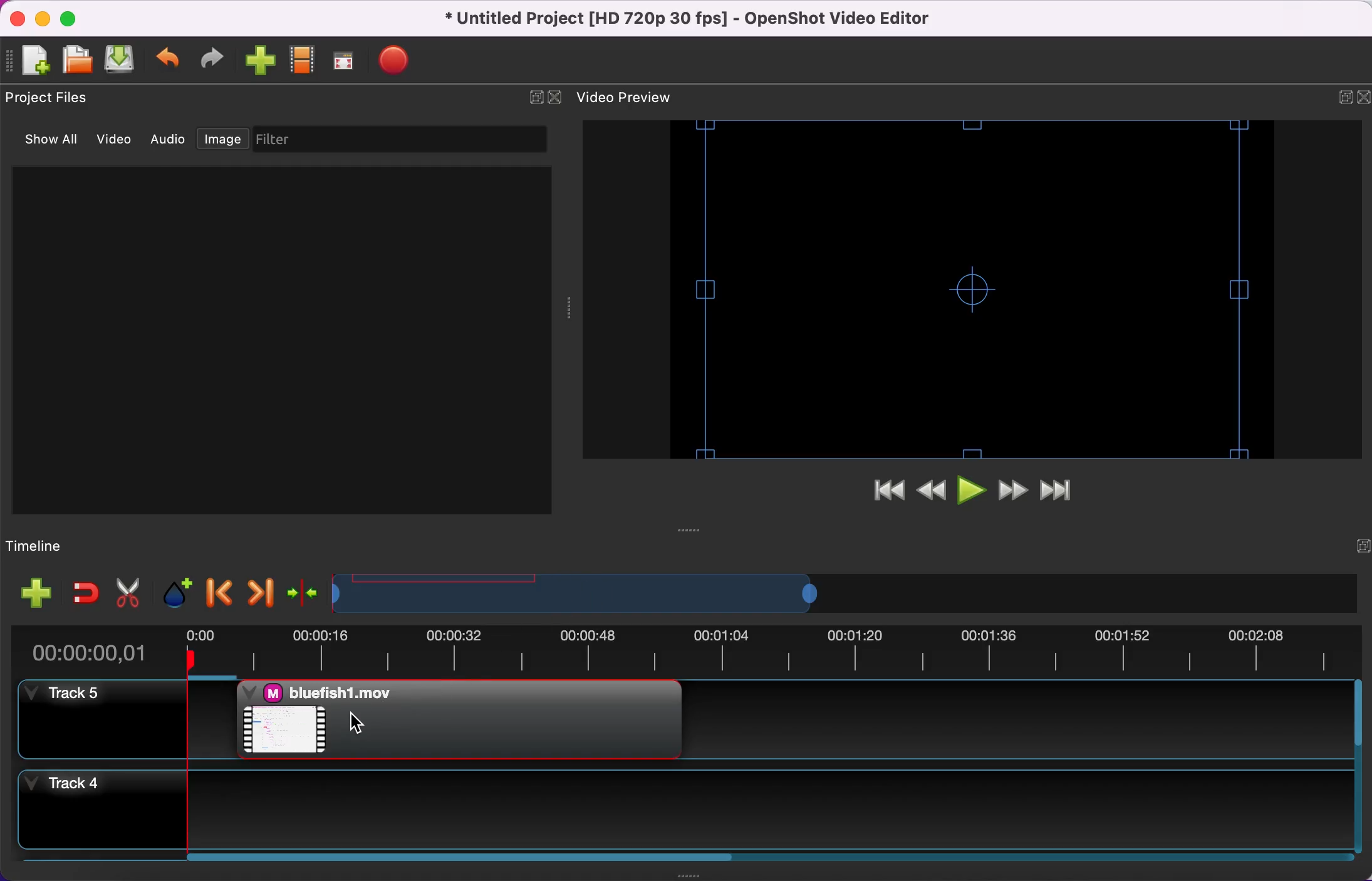 The height and width of the screenshot is (881, 1372). Describe the element at coordinates (86, 595) in the screenshot. I see `enable snapping` at that location.